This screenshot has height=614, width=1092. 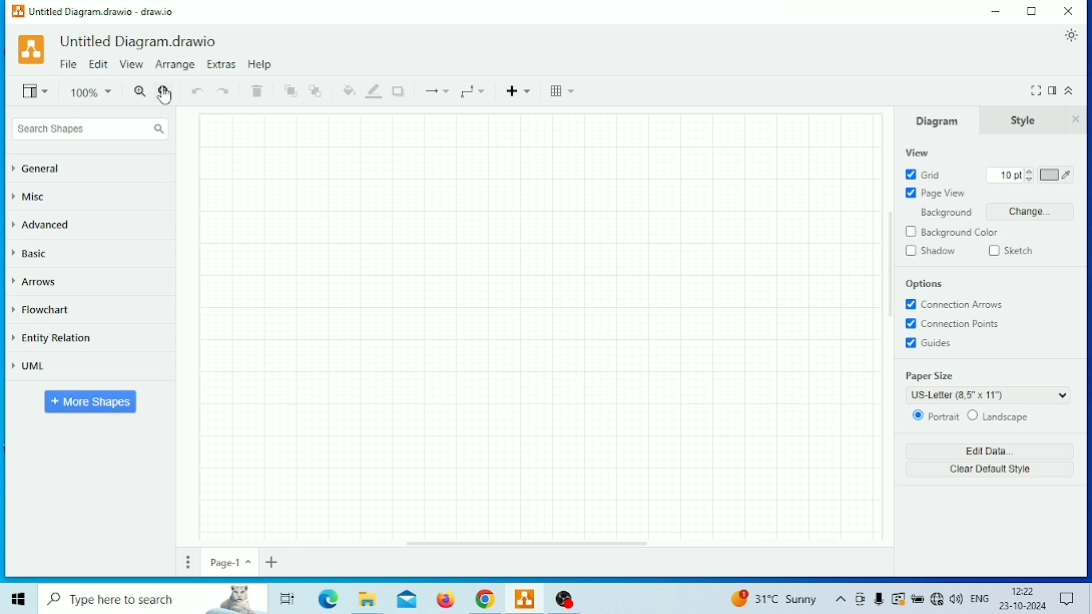 I want to click on Search Shapes, so click(x=90, y=129).